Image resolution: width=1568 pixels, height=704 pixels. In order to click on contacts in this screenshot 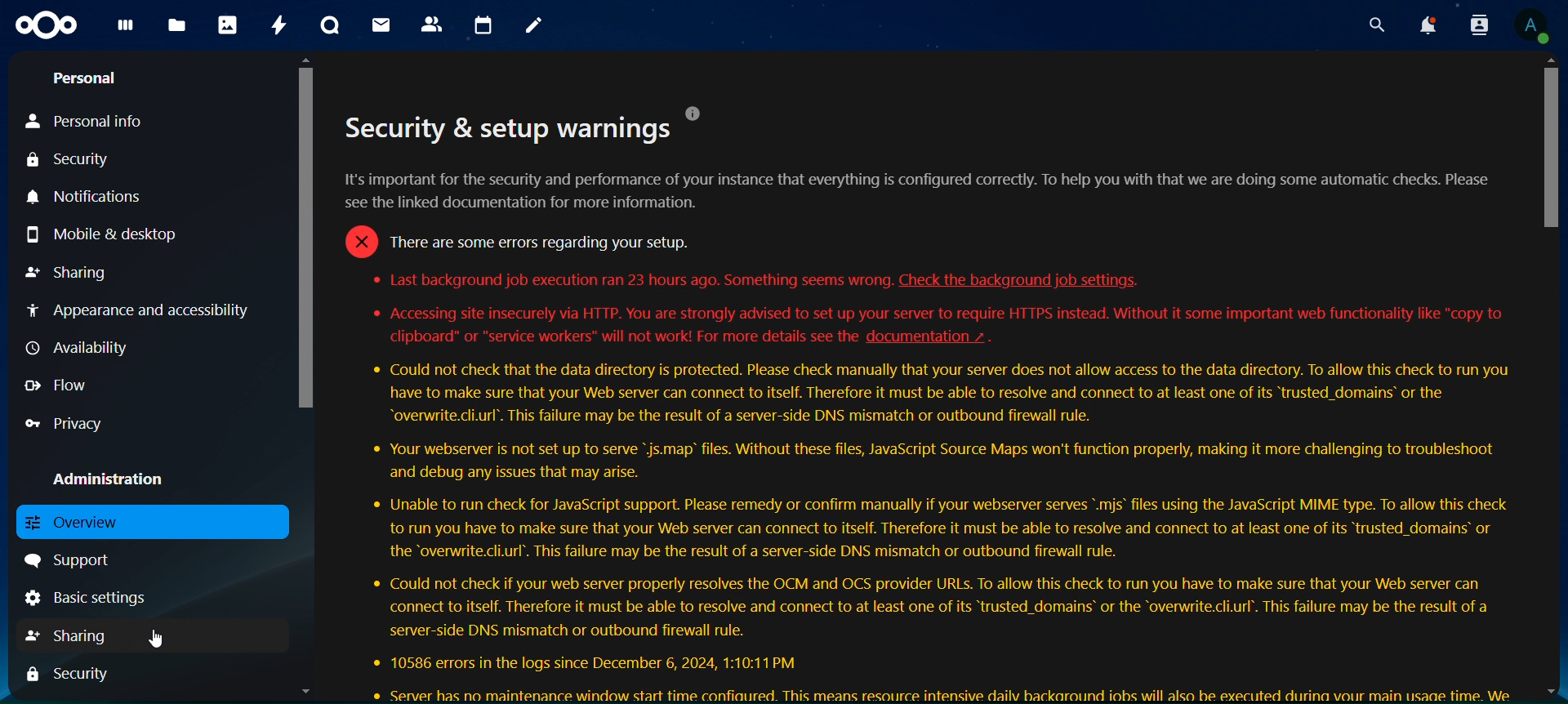, I will do `click(434, 24)`.